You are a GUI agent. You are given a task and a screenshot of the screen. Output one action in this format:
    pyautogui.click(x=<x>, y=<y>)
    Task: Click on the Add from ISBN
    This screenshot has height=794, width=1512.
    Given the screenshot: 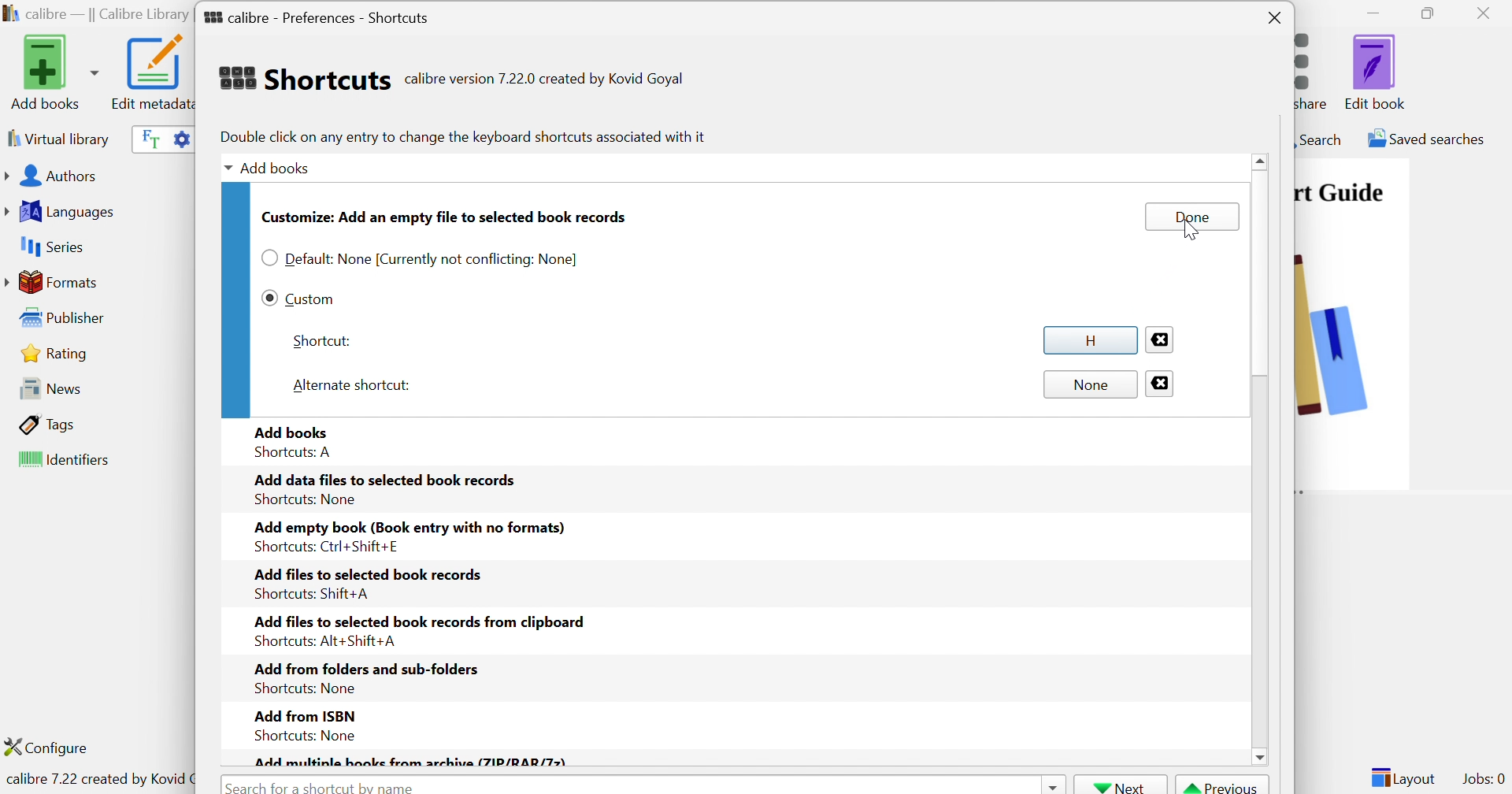 What is the action you would take?
    pyautogui.click(x=303, y=714)
    